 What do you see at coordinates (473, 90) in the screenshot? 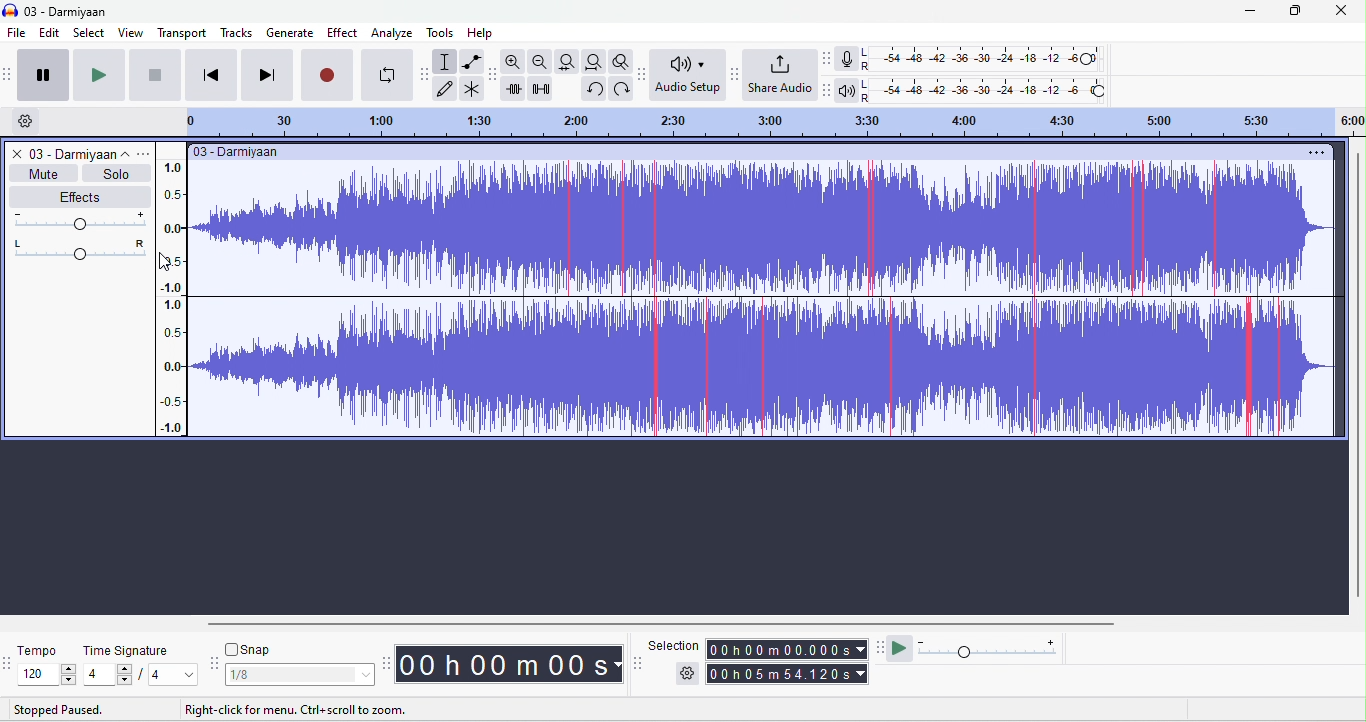
I see `multi tool` at bounding box center [473, 90].